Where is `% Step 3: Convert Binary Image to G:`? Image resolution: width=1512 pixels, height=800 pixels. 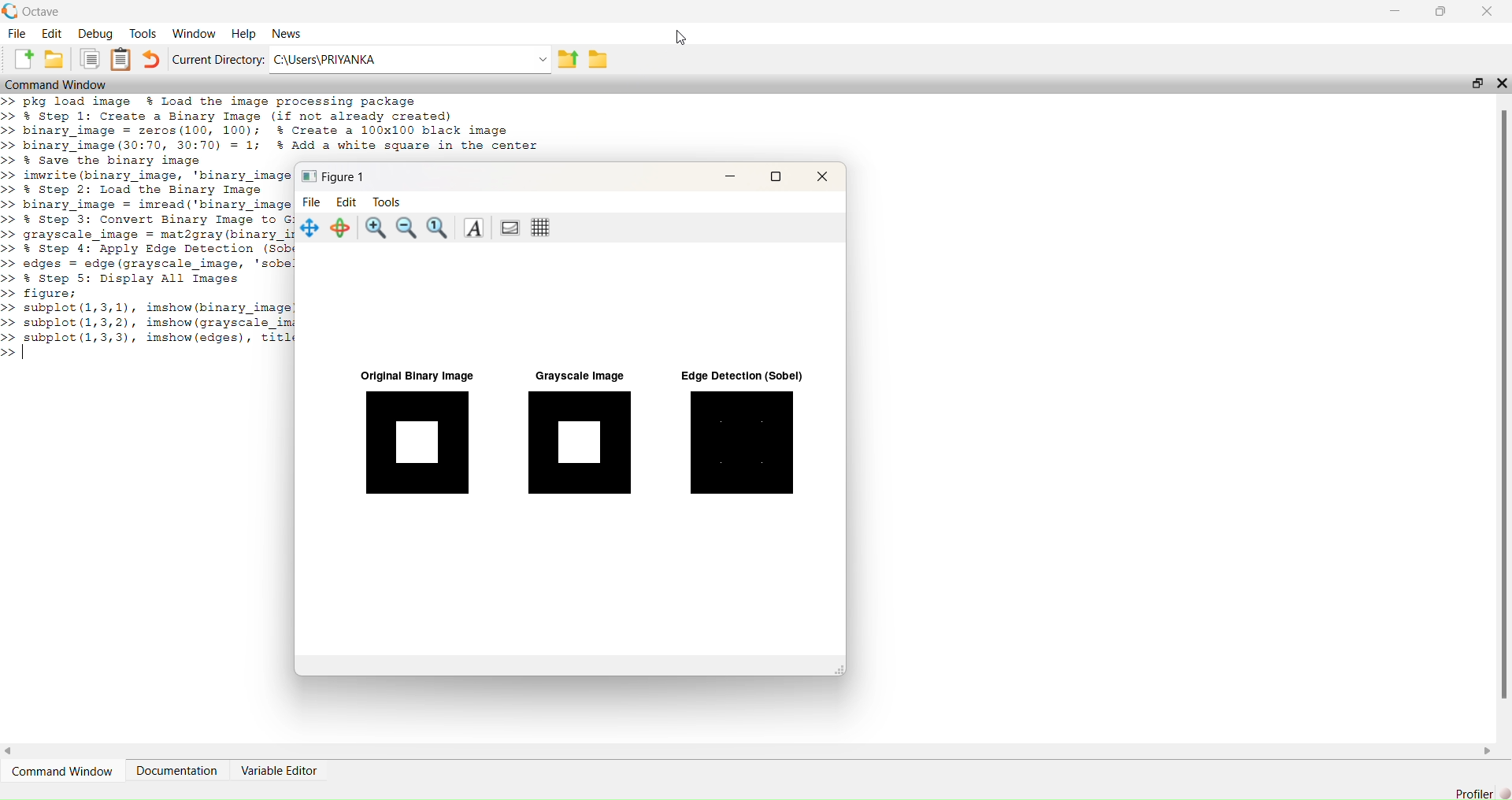
% Step 3: Convert Binary Image to G: is located at coordinates (158, 220).